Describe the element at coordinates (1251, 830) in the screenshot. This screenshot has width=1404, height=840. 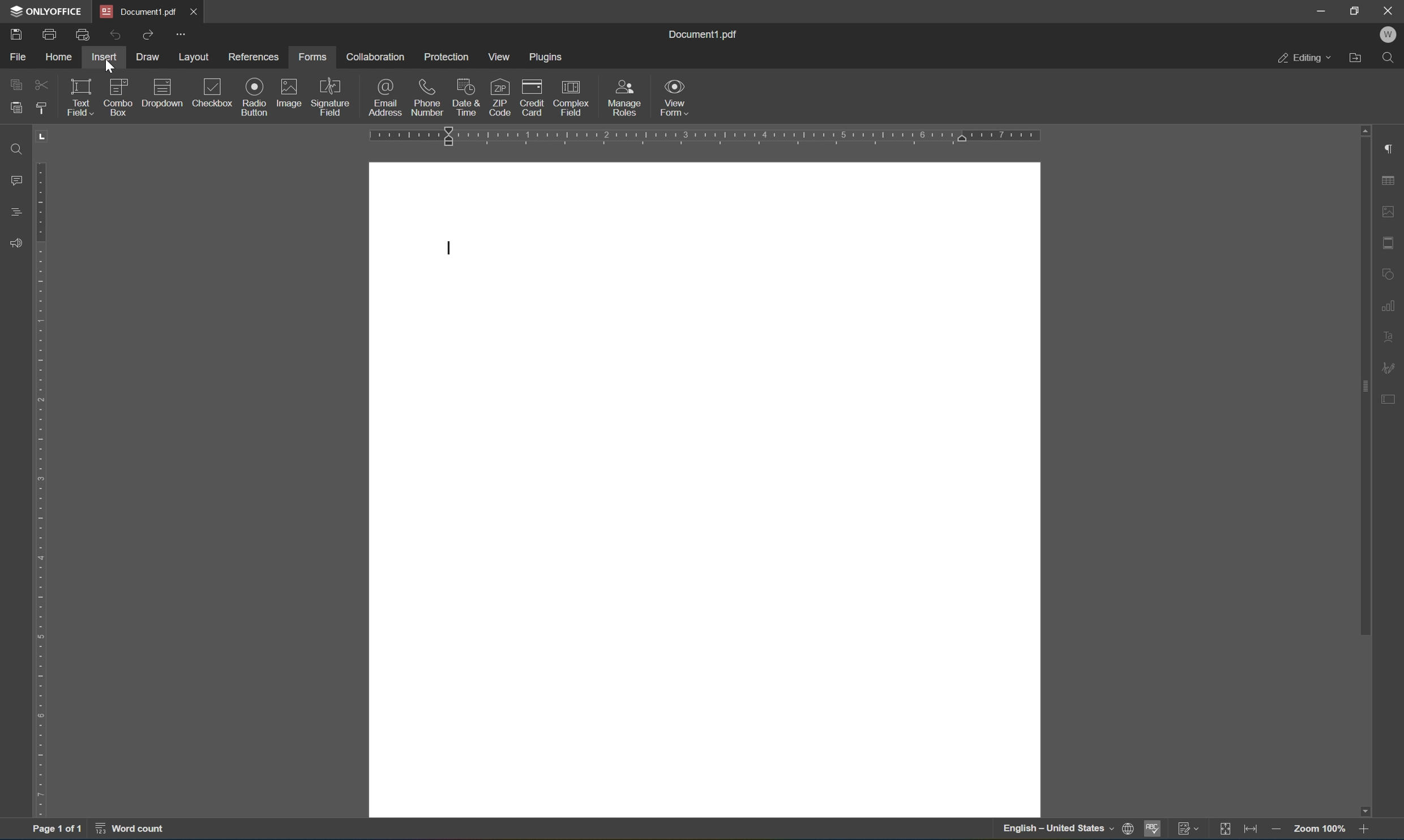
I see `fit to width` at that location.